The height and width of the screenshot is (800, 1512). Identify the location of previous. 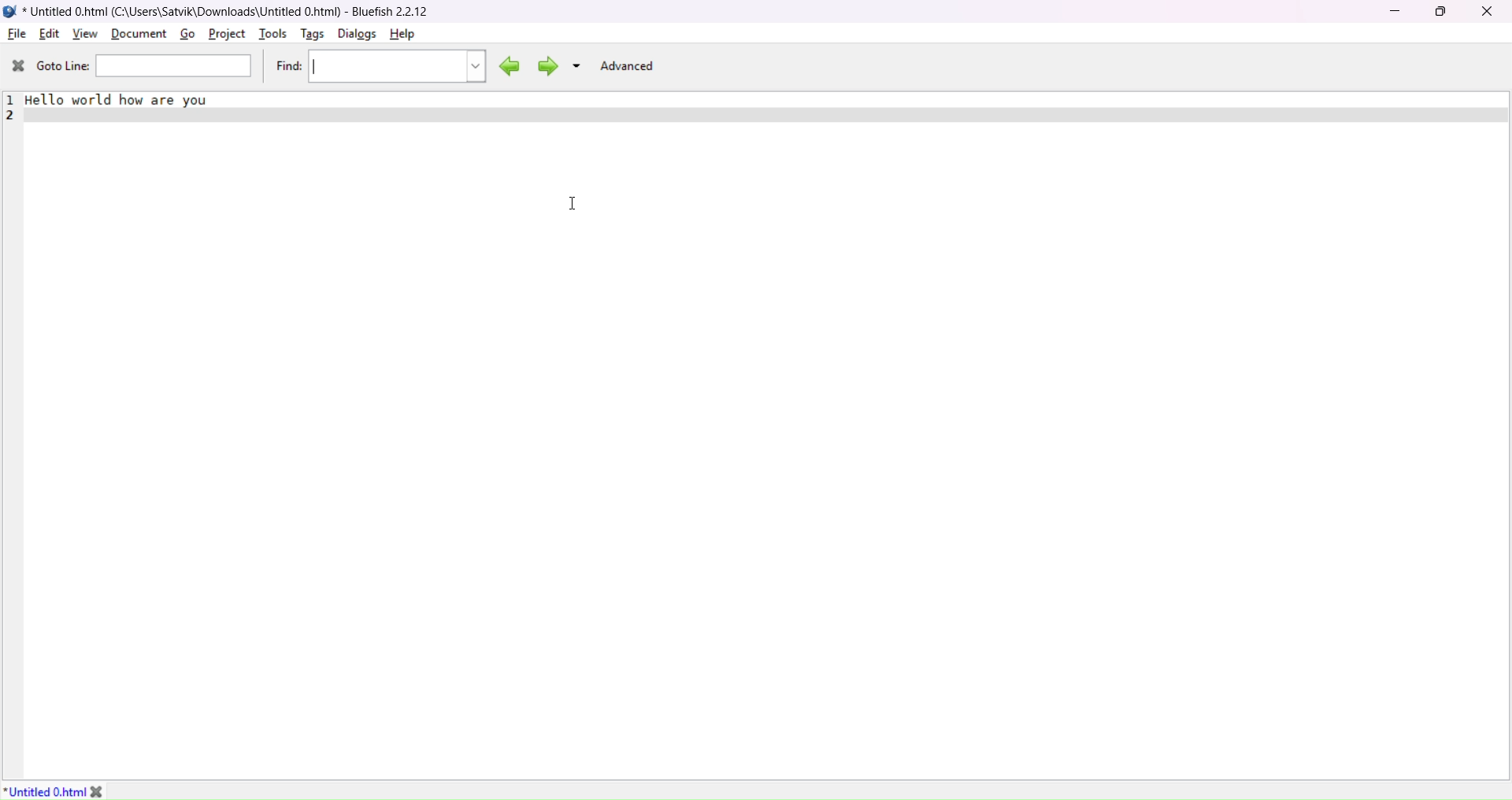
(507, 64).